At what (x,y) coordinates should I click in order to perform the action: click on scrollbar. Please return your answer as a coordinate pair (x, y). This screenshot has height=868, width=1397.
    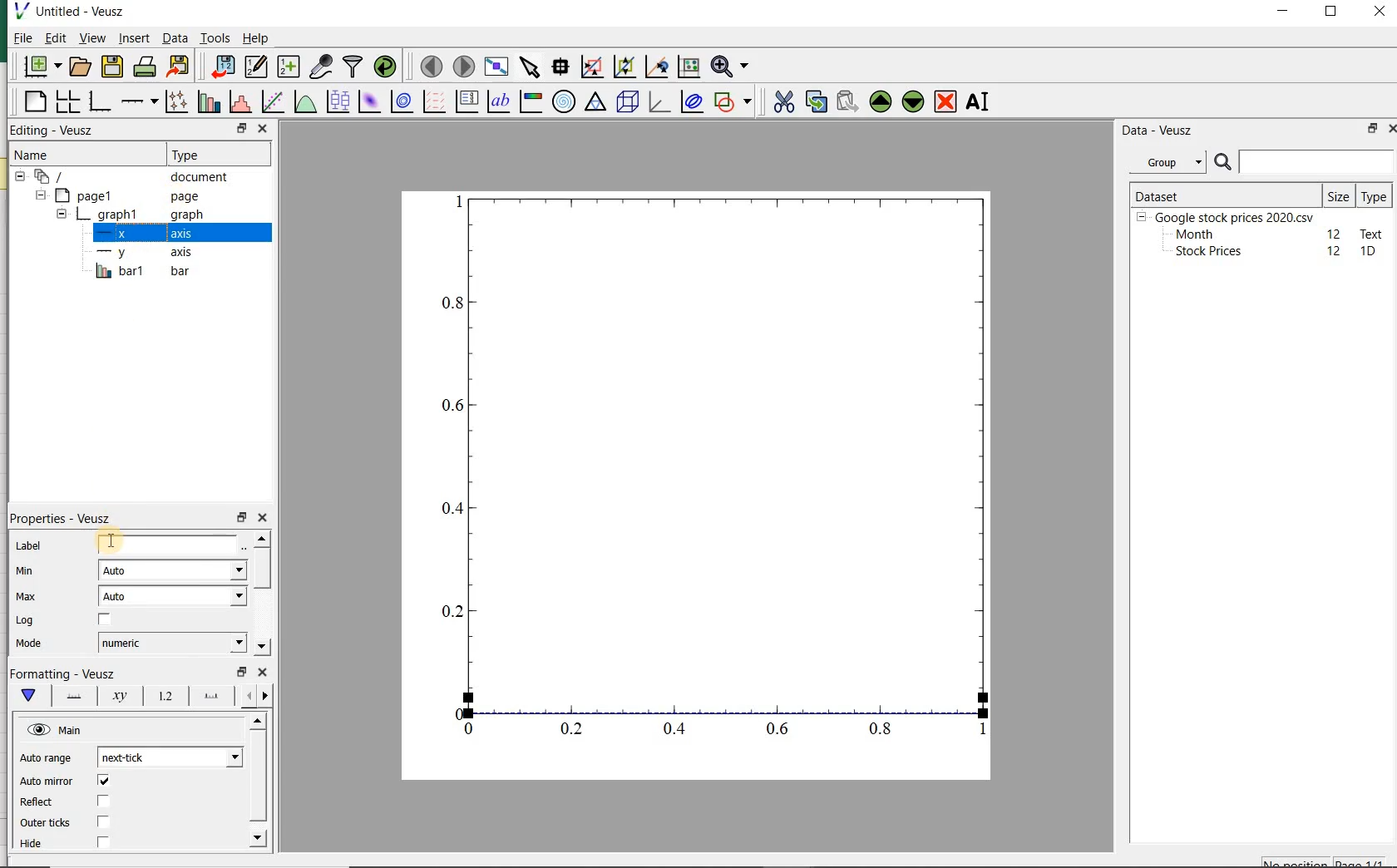
    Looking at the image, I should click on (261, 594).